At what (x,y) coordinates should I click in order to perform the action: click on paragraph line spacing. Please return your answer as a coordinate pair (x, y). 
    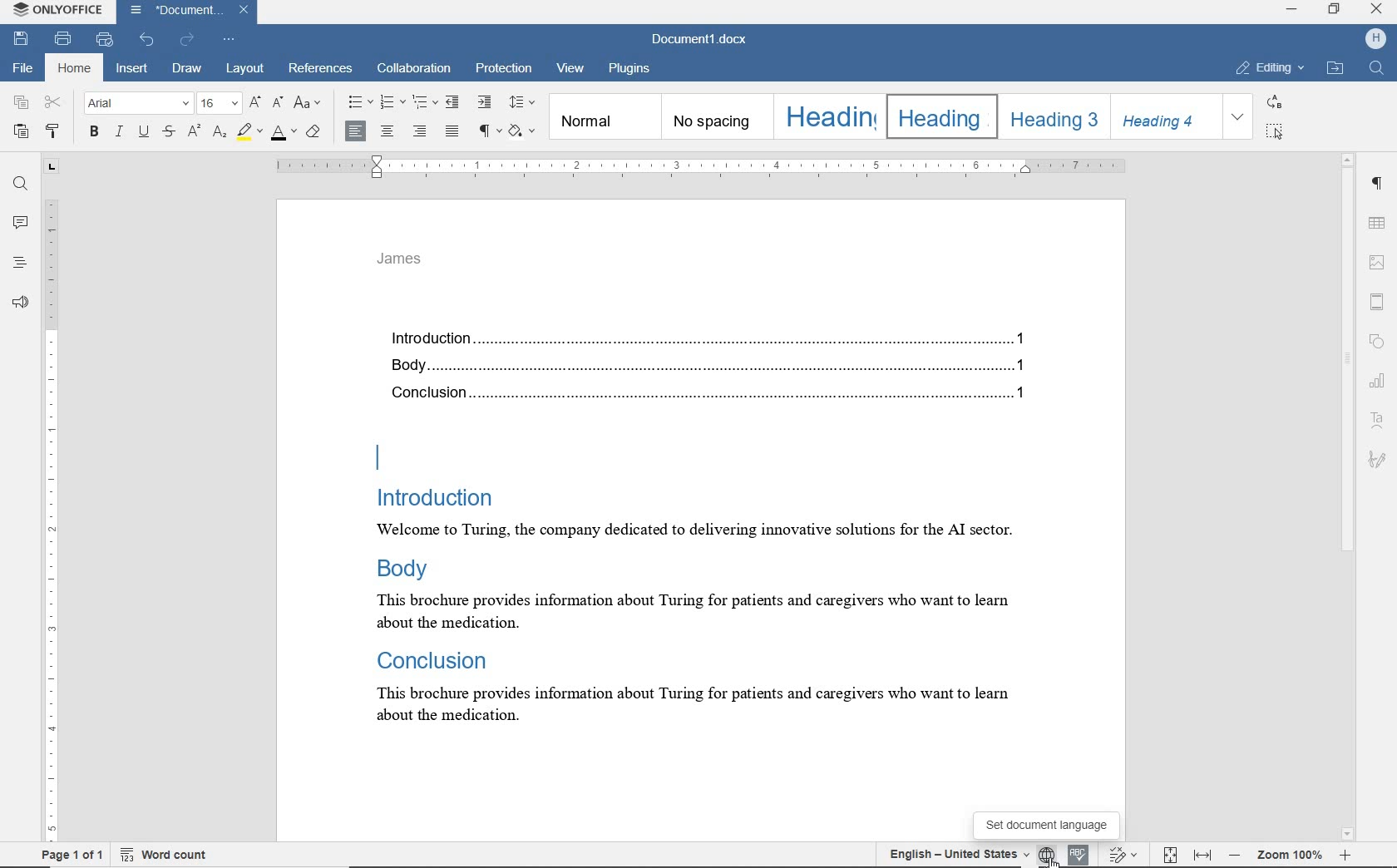
    Looking at the image, I should click on (522, 102).